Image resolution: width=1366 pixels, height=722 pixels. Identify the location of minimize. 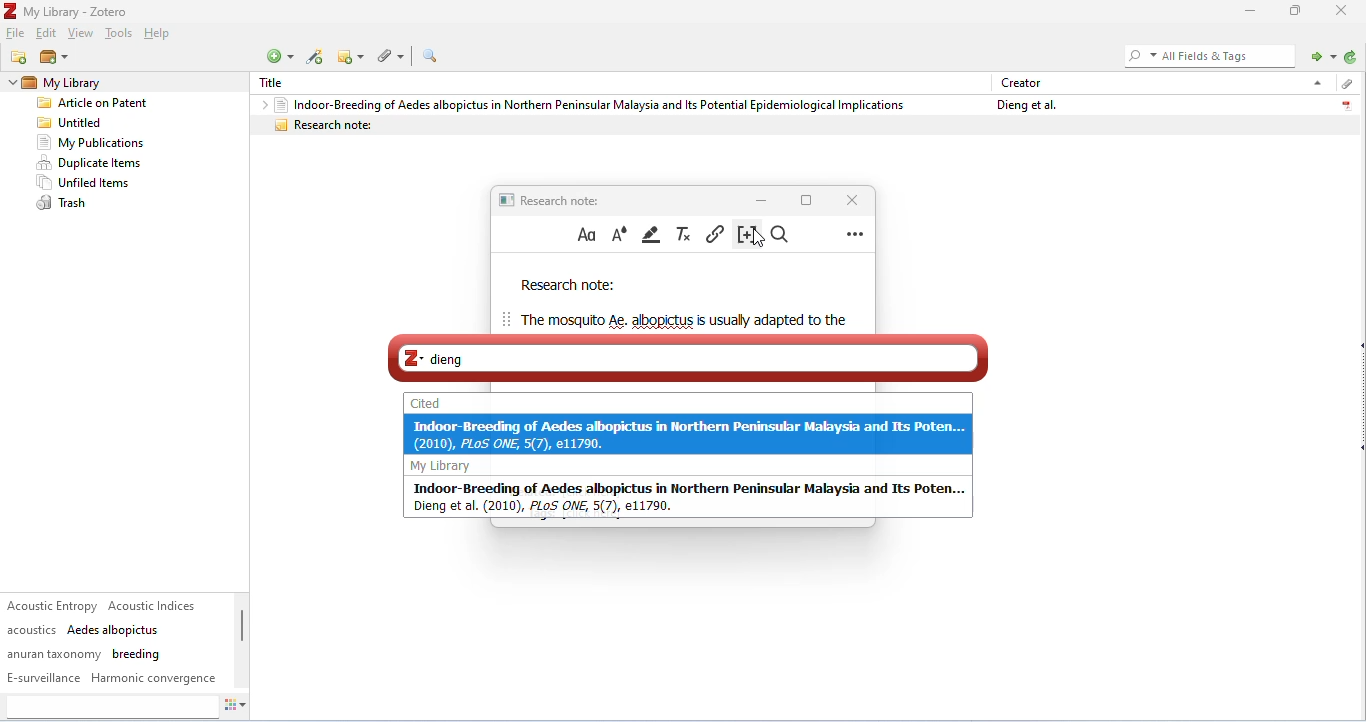
(1247, 11).